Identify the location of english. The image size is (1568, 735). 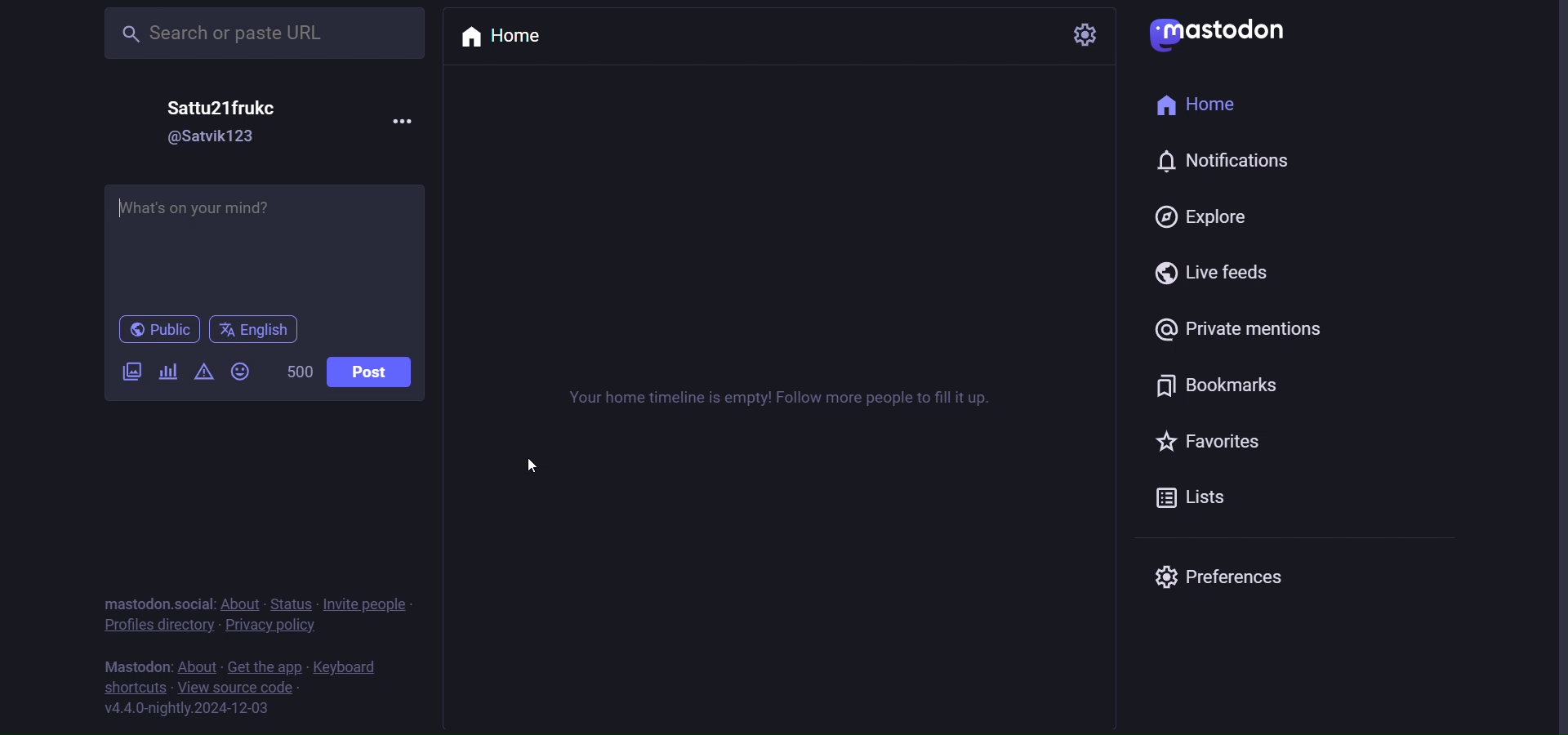
(260, 332).